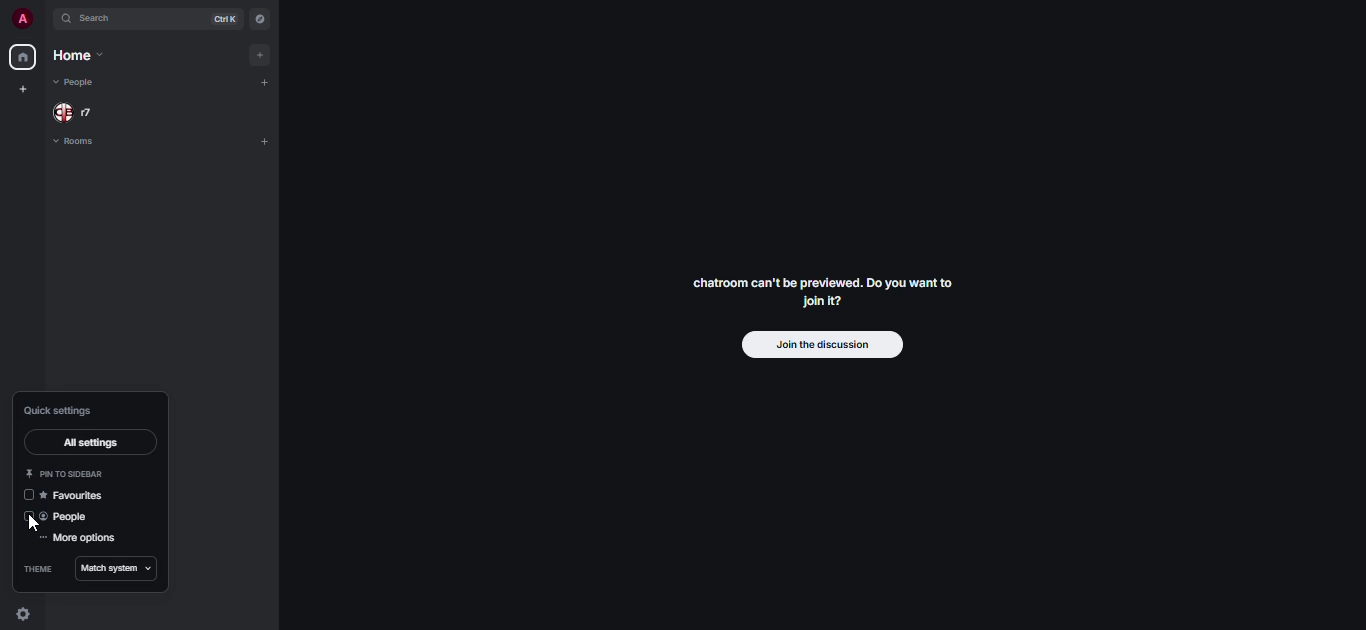 This screenshot has height=630, width=1366. I want to click on add, so click(266, 54).